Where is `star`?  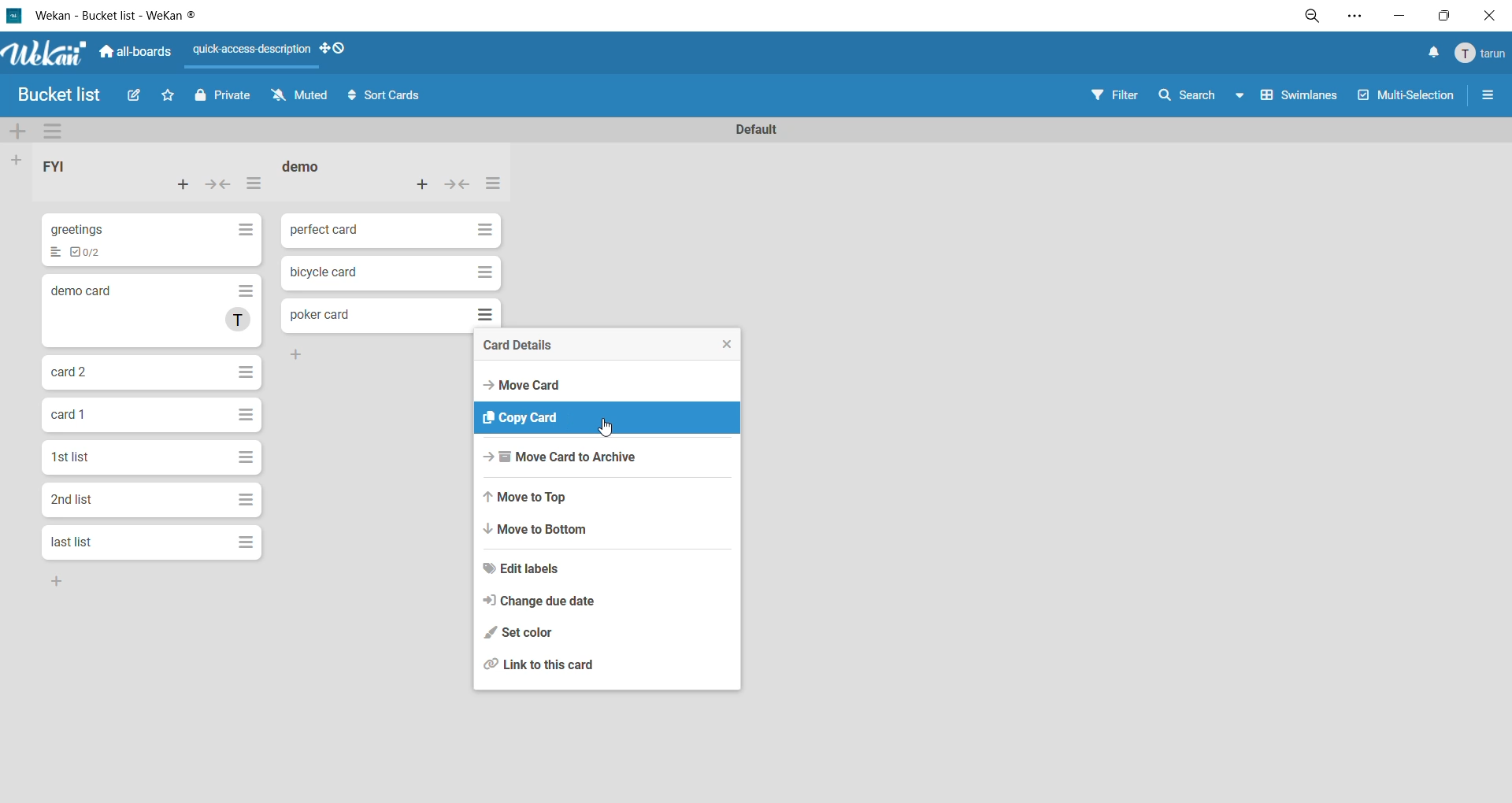
star is located at coordinates (172, 98).